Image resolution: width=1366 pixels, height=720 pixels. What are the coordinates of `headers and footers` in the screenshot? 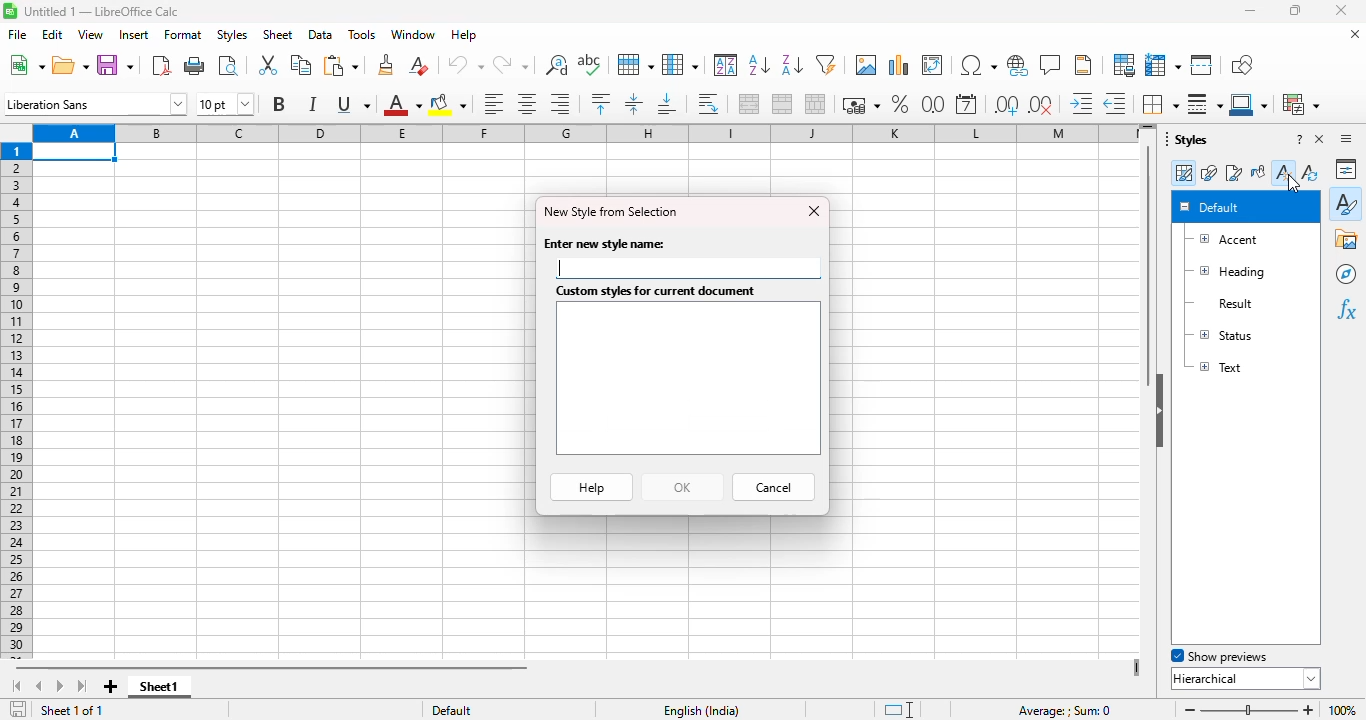 It's located at (1083, 65).